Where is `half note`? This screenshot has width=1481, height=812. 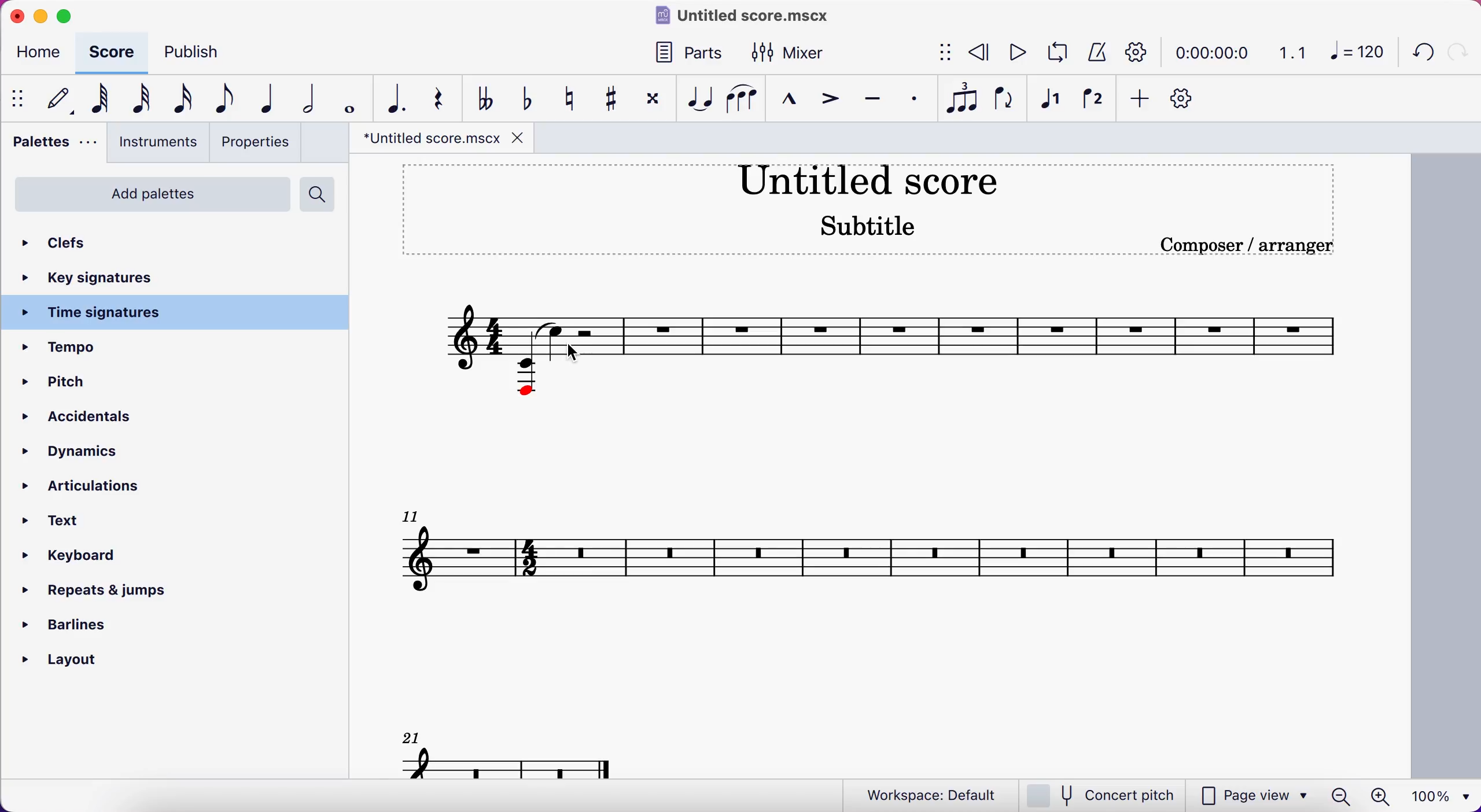
half note is located at coordinates (312, 96).